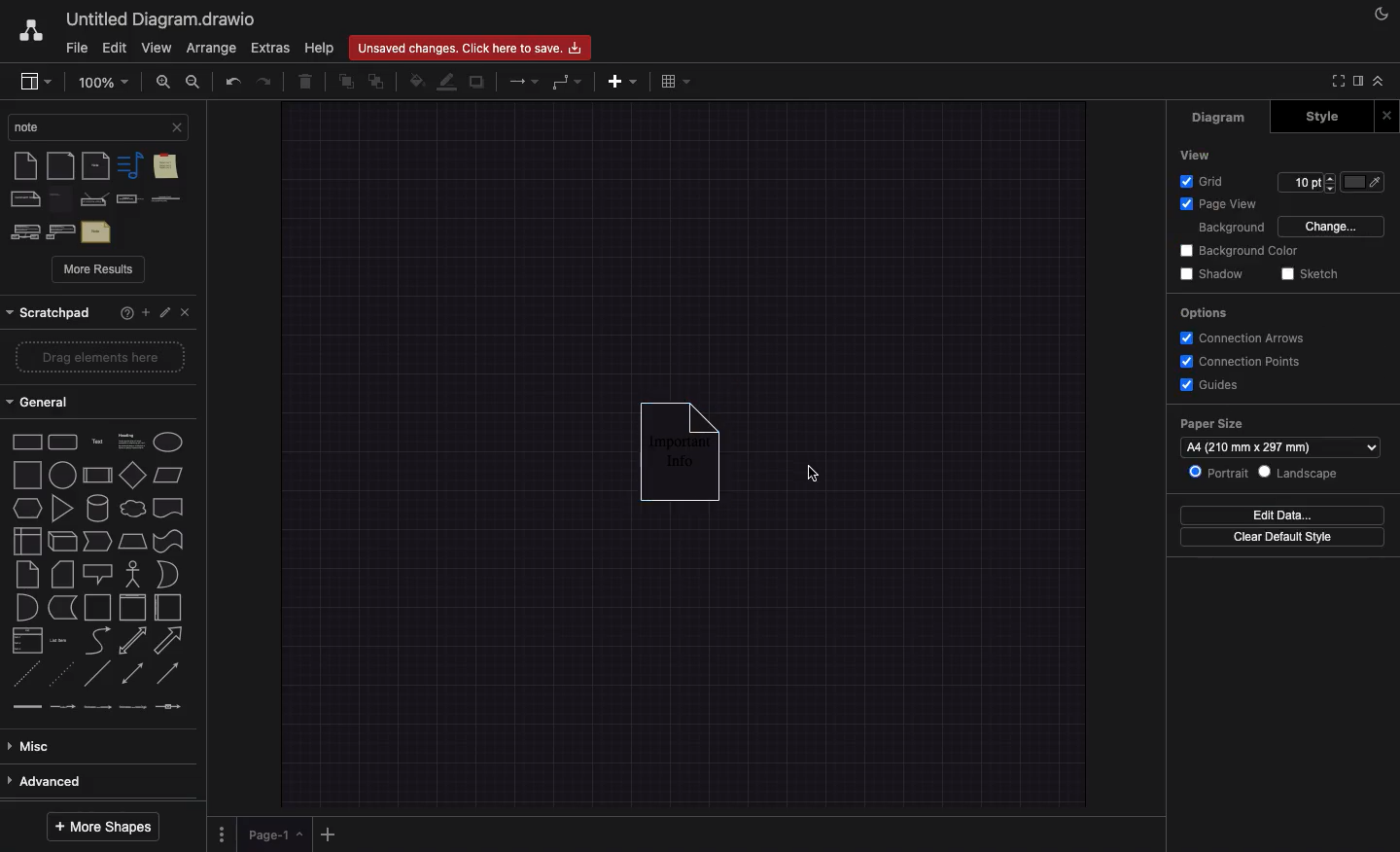 This screenshot has width=1400, height=852. What do you see at coordinates (264, 81) in the screenshot?
I see `Redo` at bounding box center [264, 81].